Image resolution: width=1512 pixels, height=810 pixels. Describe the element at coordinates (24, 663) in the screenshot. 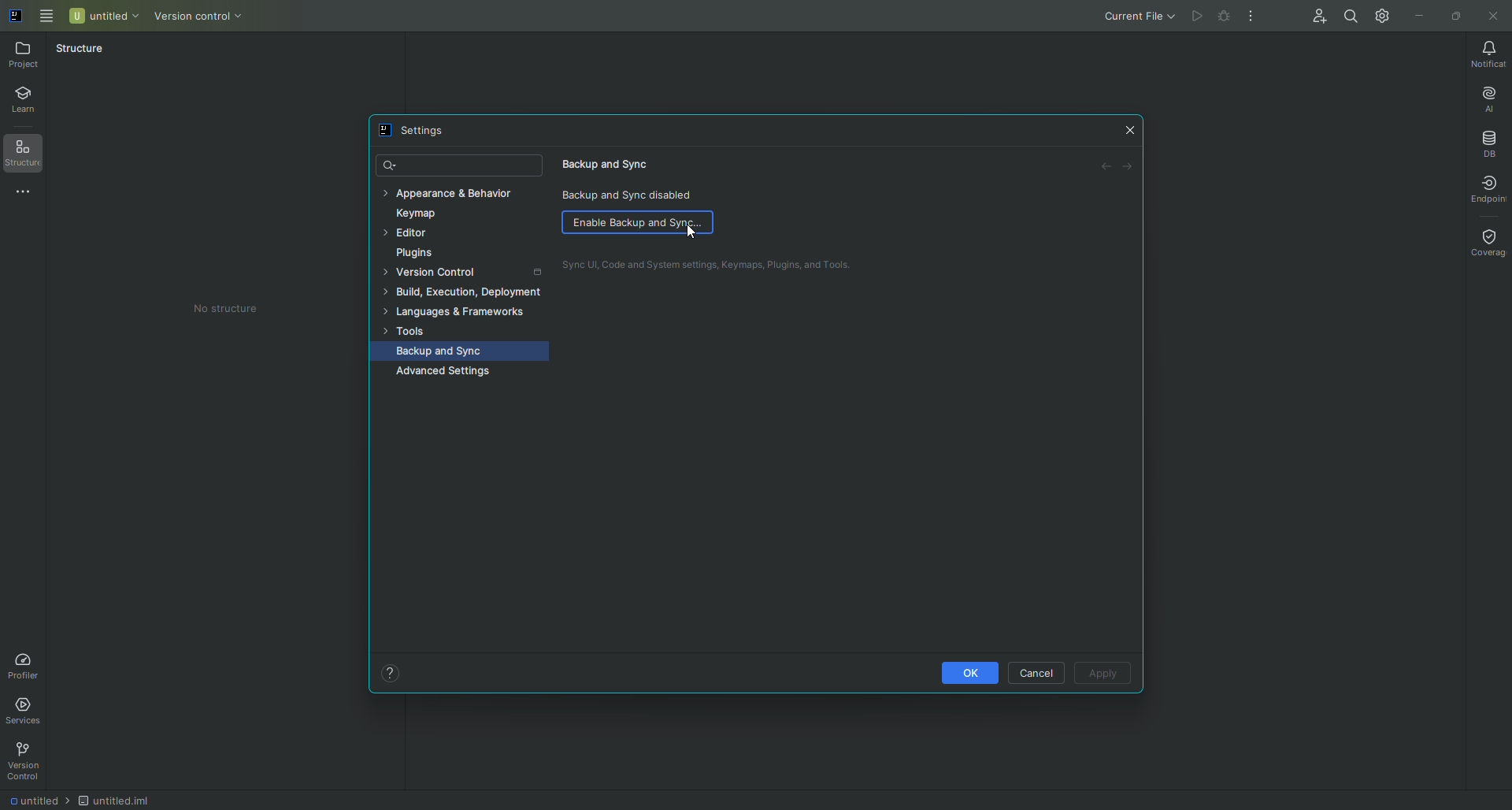

I see `Profiler` at that location.